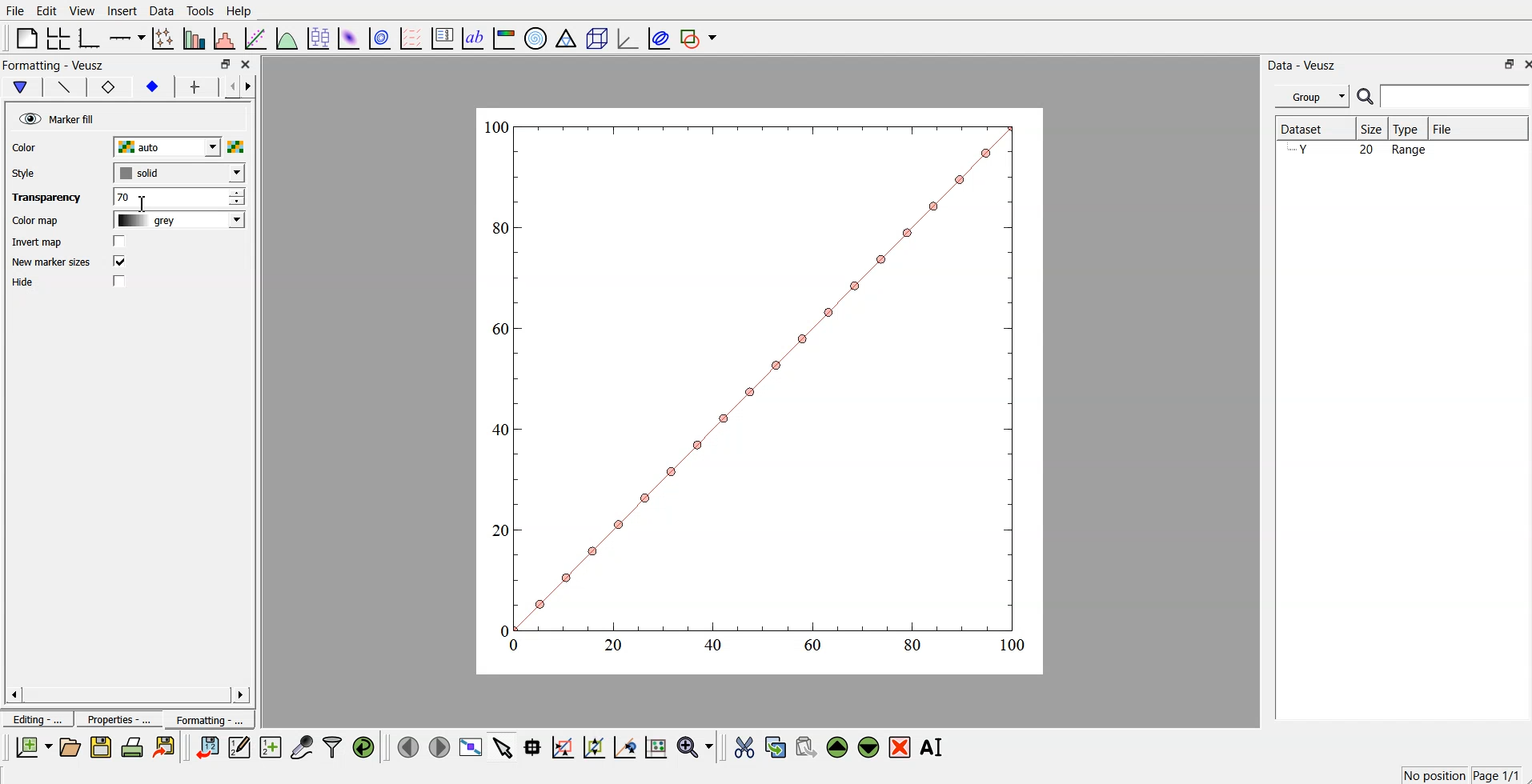 The height and width of the screenshot is (784, 1532). Describe the element at coordinates (237, 747) in the screenshot. I see `Edit and enter new dataset` at that location.